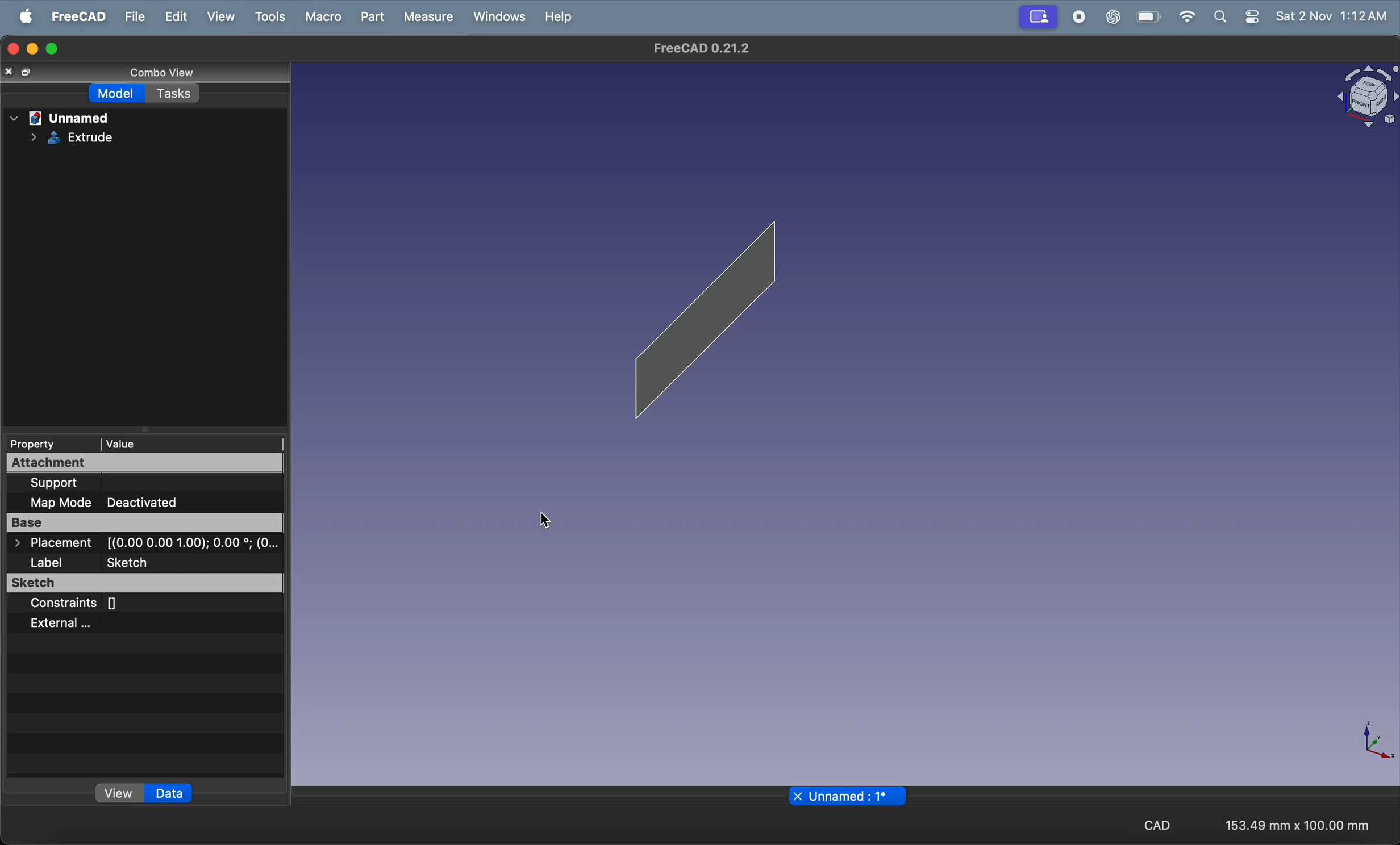 Image resolution: width=1400 pixels, height=845 pixels. Describe the element at coordinates (192, 444) in the screenshot. I see `value` at that location.